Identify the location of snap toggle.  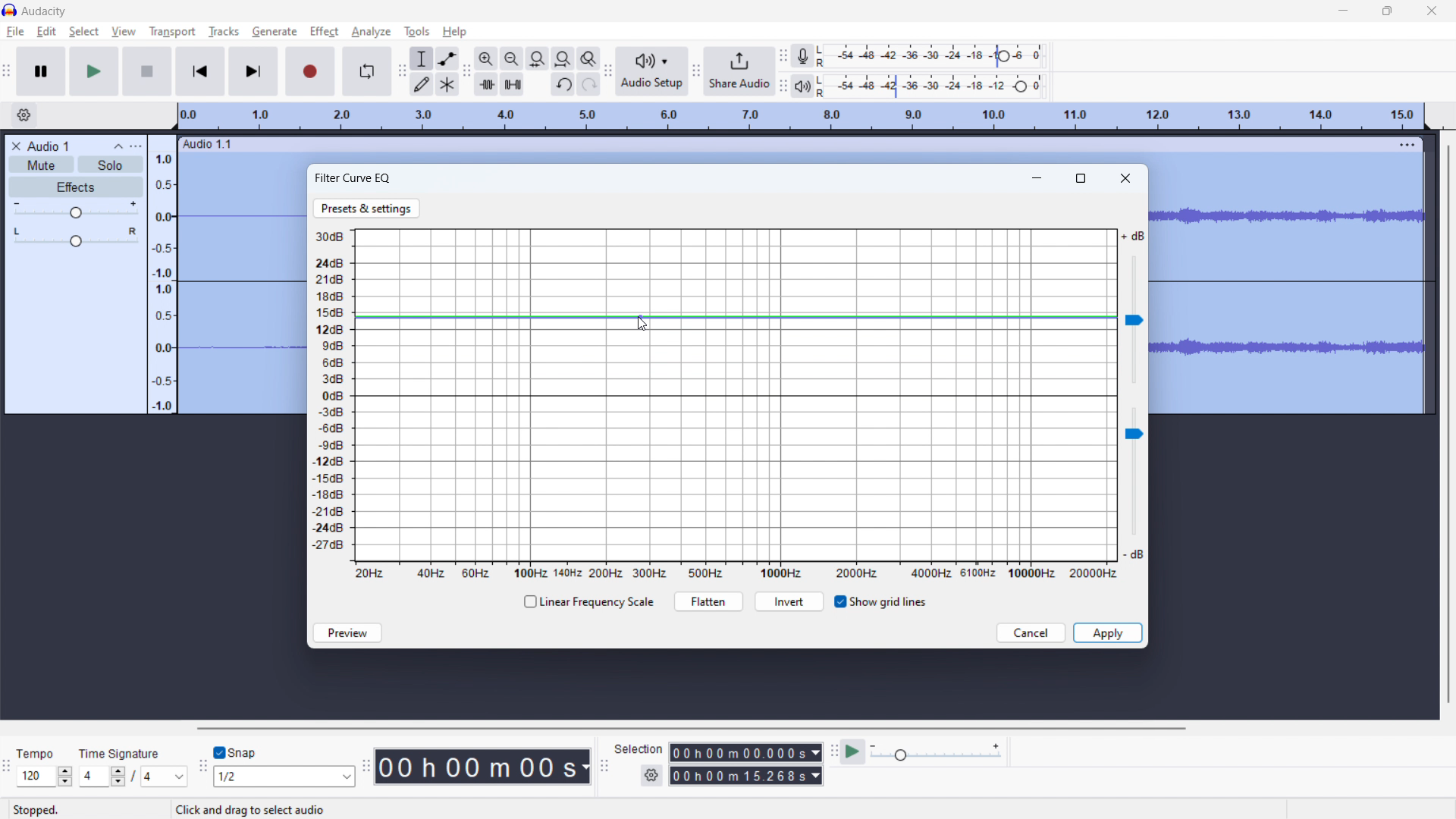
(236, 752).